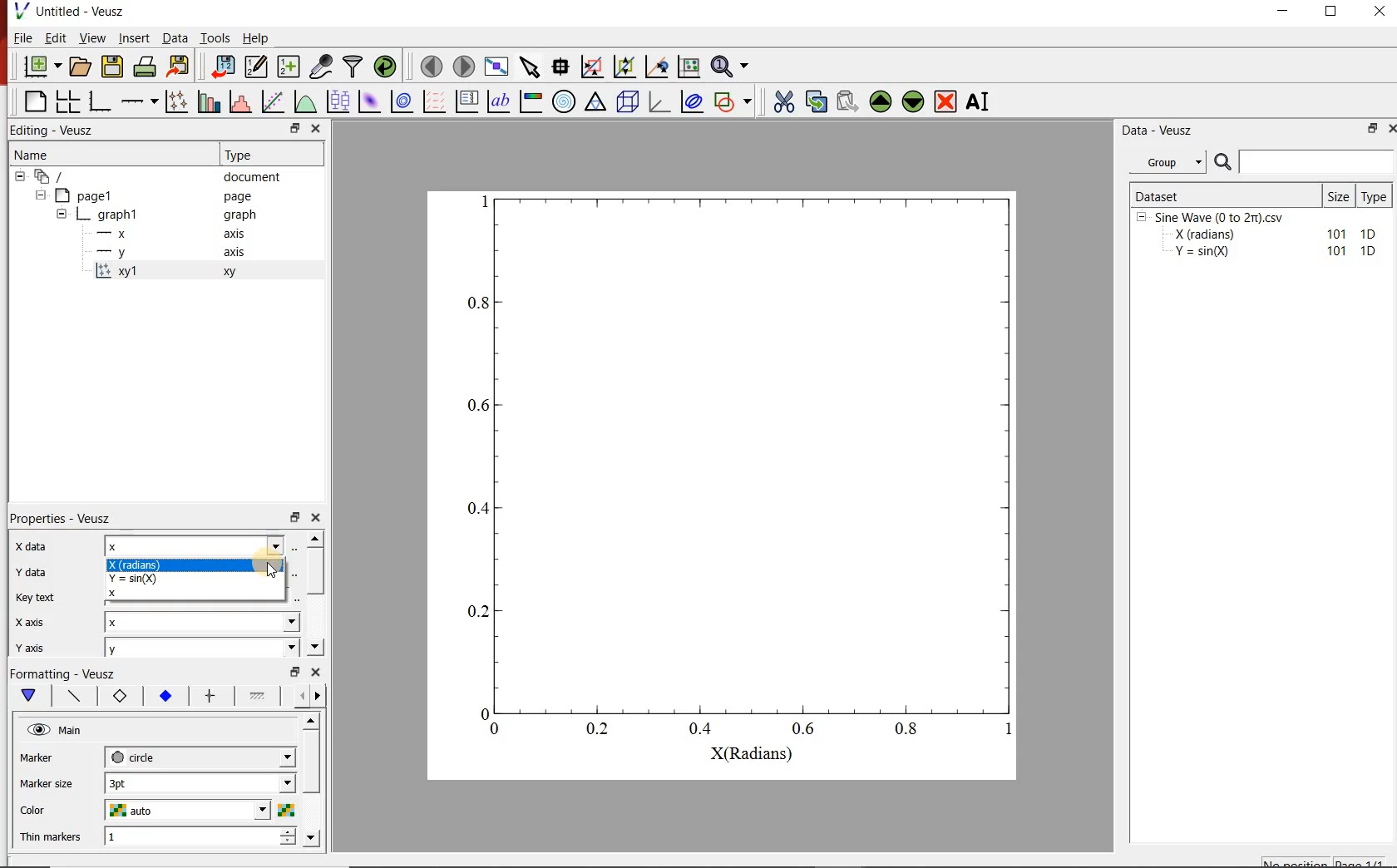 This screenshot has height=868, width=1397. I want to click on no positions, so click(1325, 861).